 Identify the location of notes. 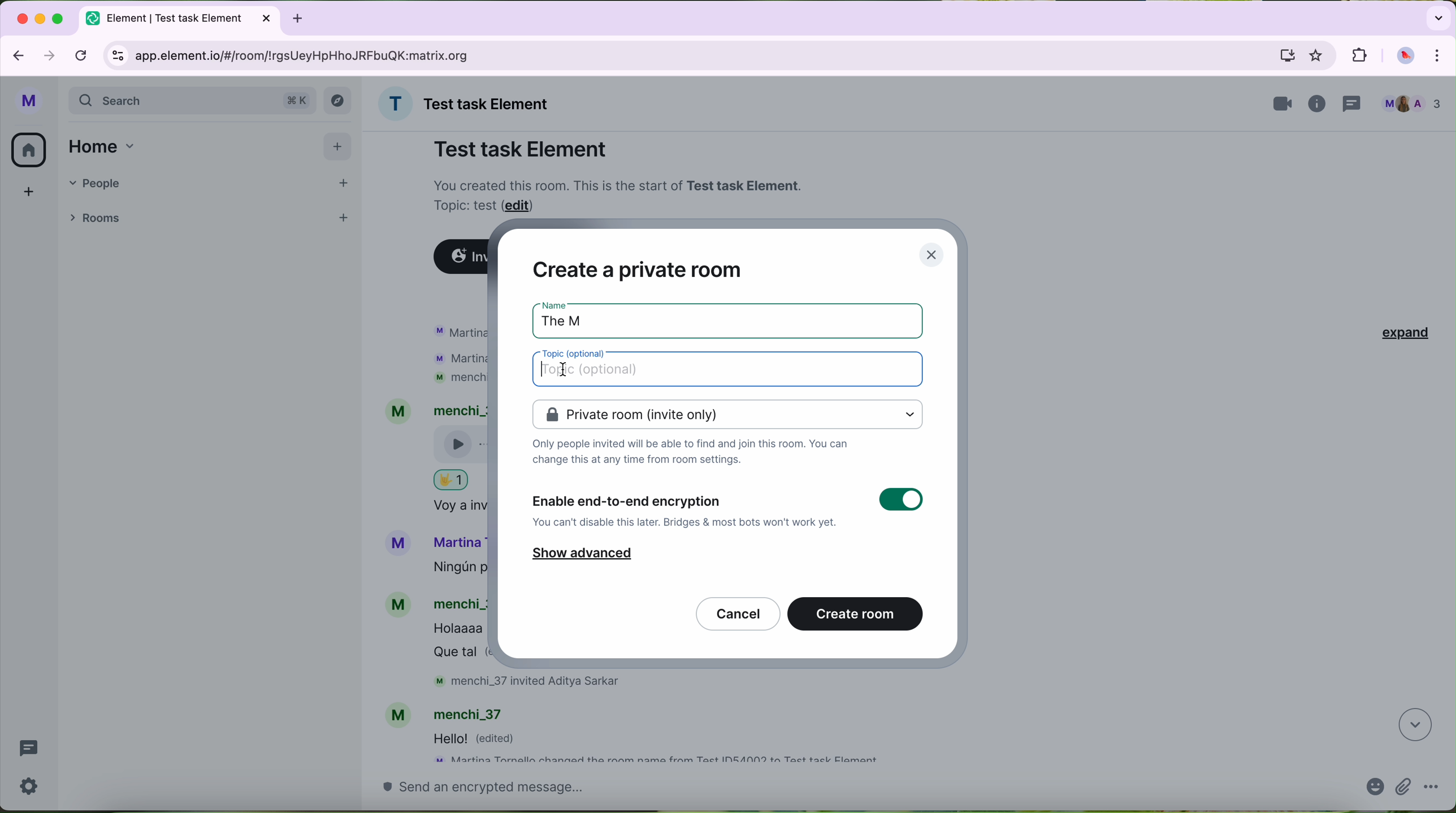
(691, 455).